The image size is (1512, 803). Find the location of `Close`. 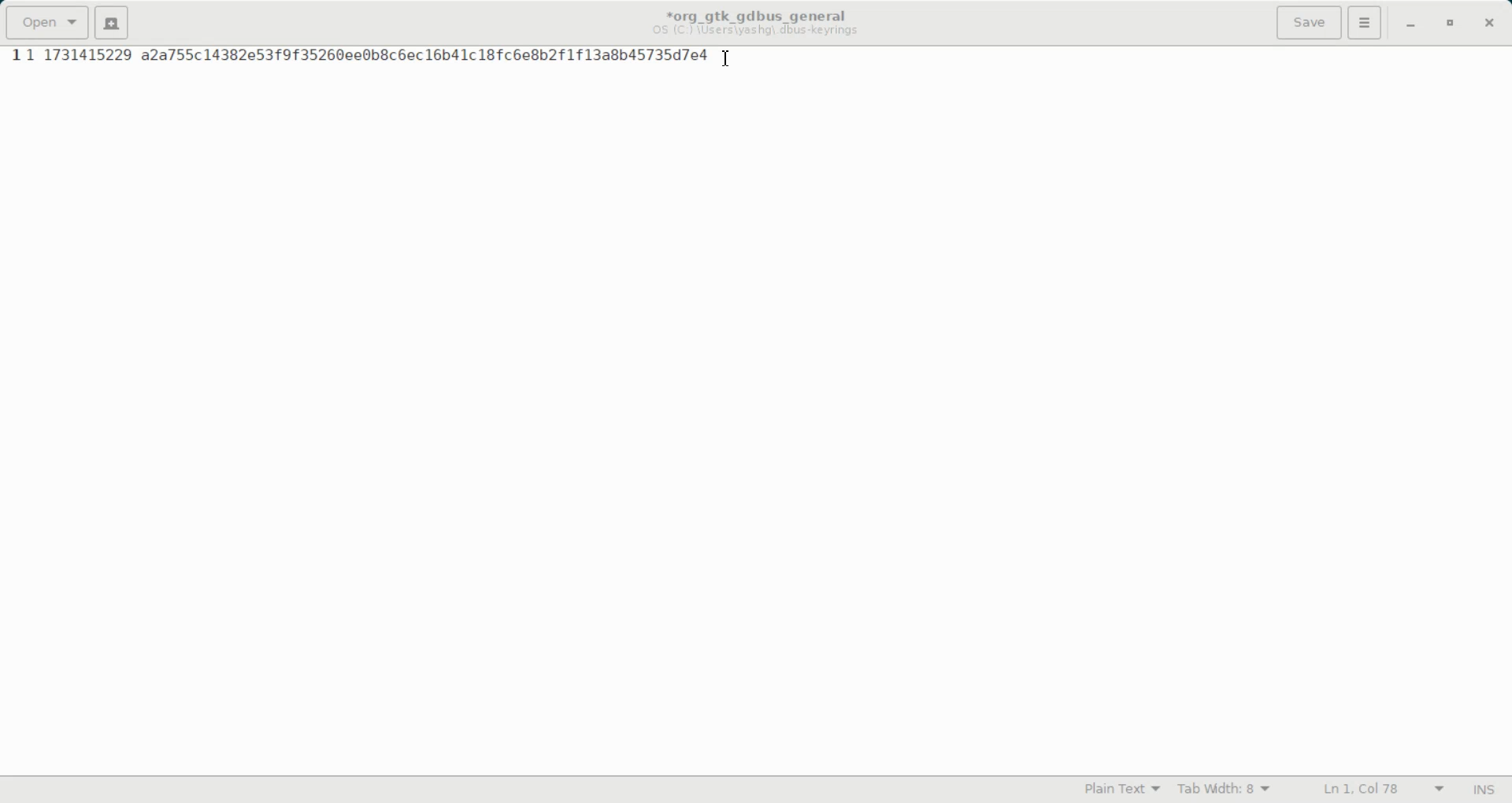

Close is located at coordinates (1488, 24).